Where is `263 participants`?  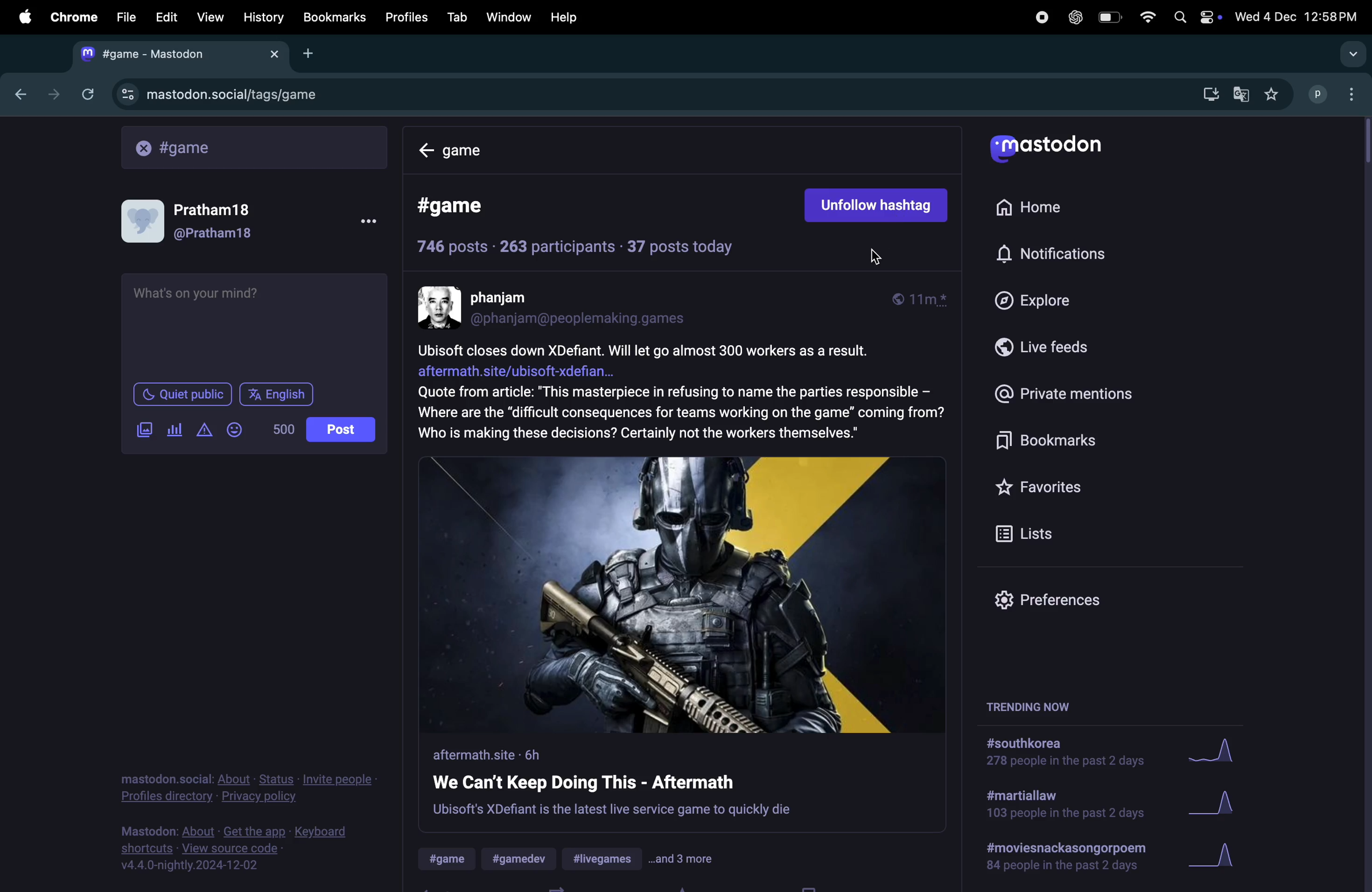
263 participants is located at coordinates (556, 247).